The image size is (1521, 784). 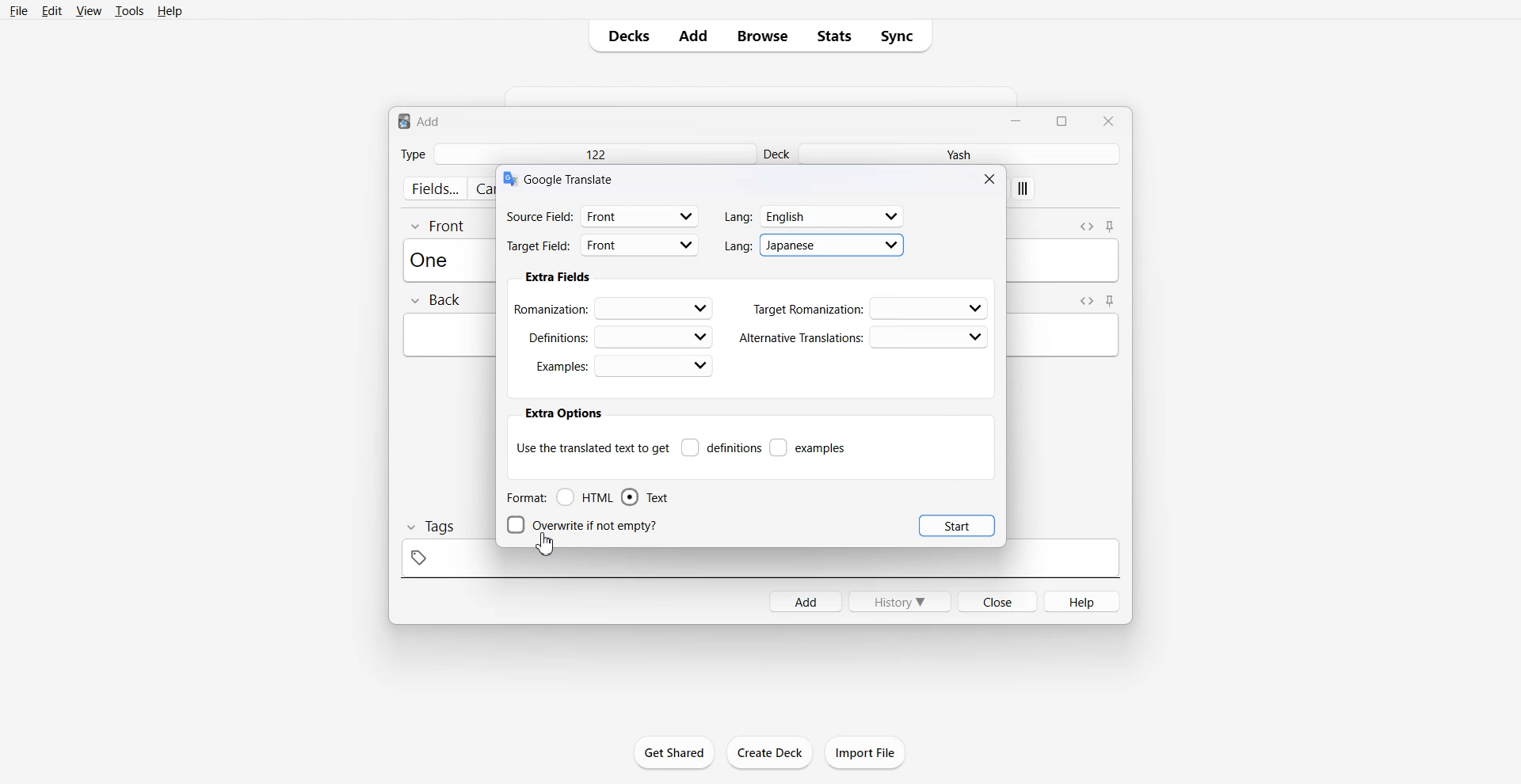 What do you see at coordinates (571, 178) in the screenshot?
I see `Text` at bounding box center [571, 178].